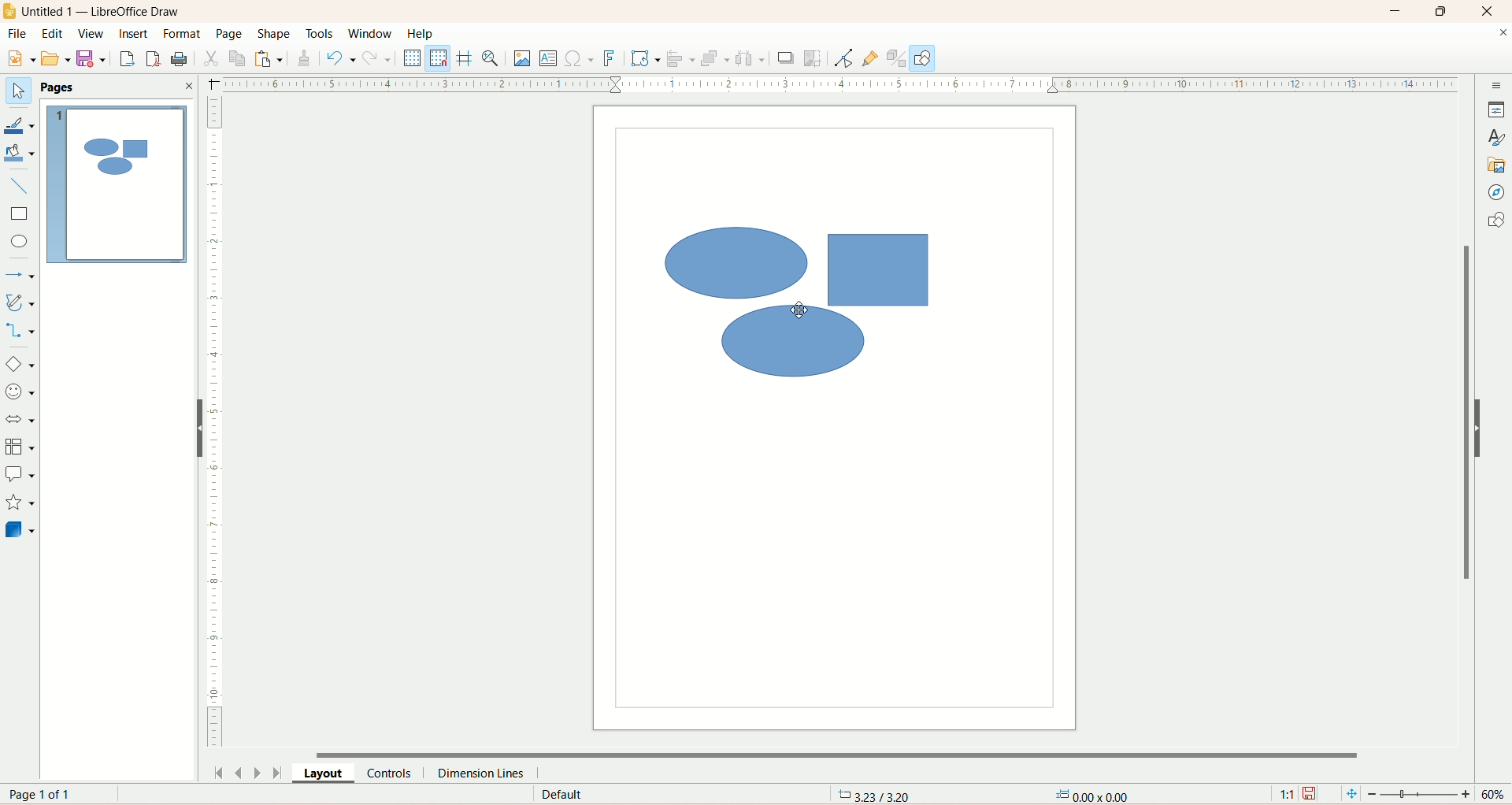  I want to click on controls, so click(390, 773).